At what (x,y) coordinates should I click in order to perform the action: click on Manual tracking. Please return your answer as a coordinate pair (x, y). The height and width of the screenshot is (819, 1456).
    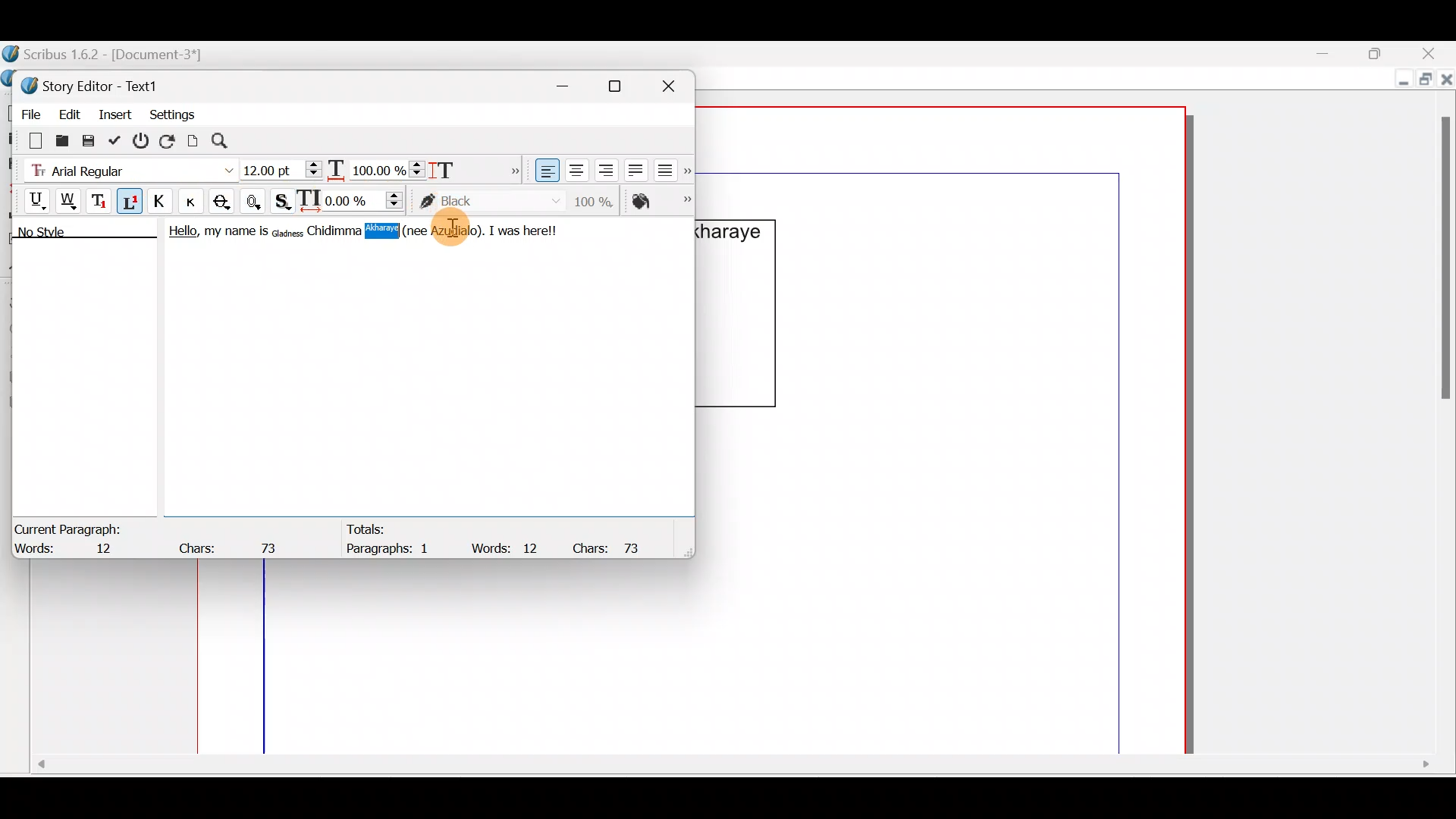
    Looking at the image, I should click on (354, 199).